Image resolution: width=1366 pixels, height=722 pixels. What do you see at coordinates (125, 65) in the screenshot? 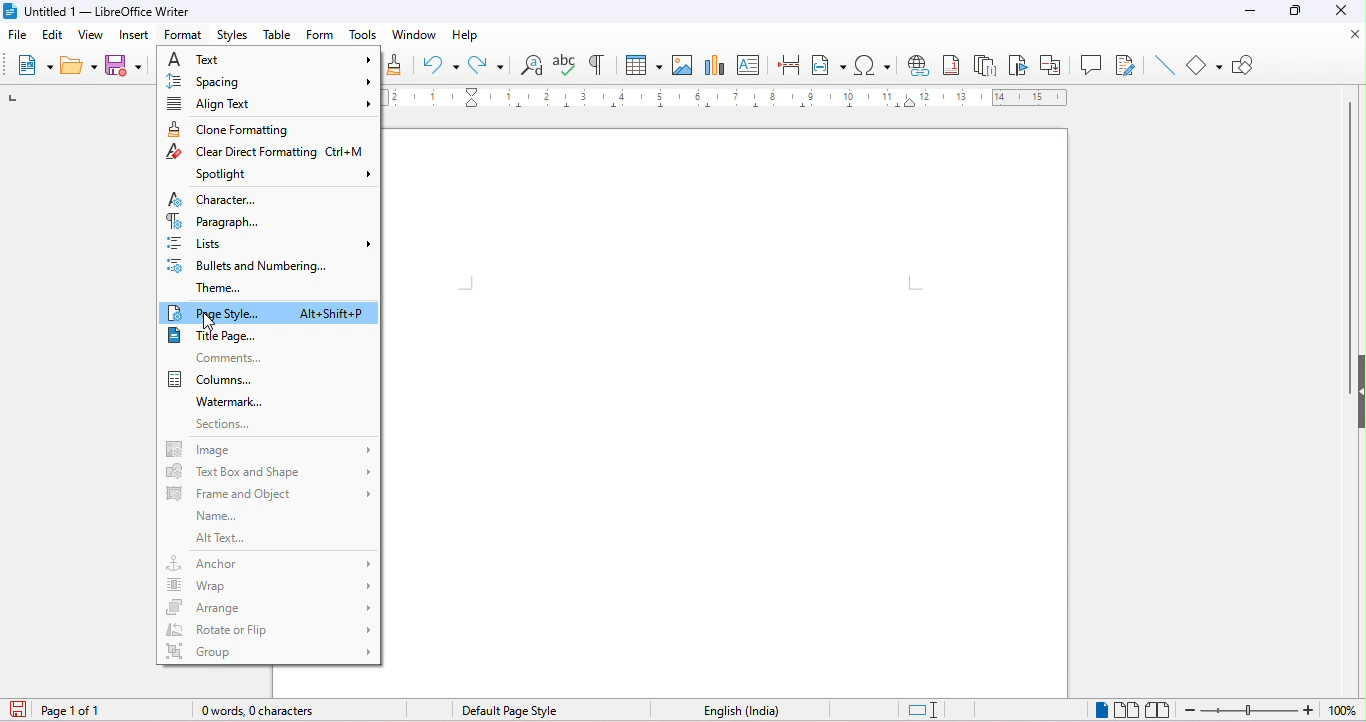
I see `save` at bounding box center [125, 65].